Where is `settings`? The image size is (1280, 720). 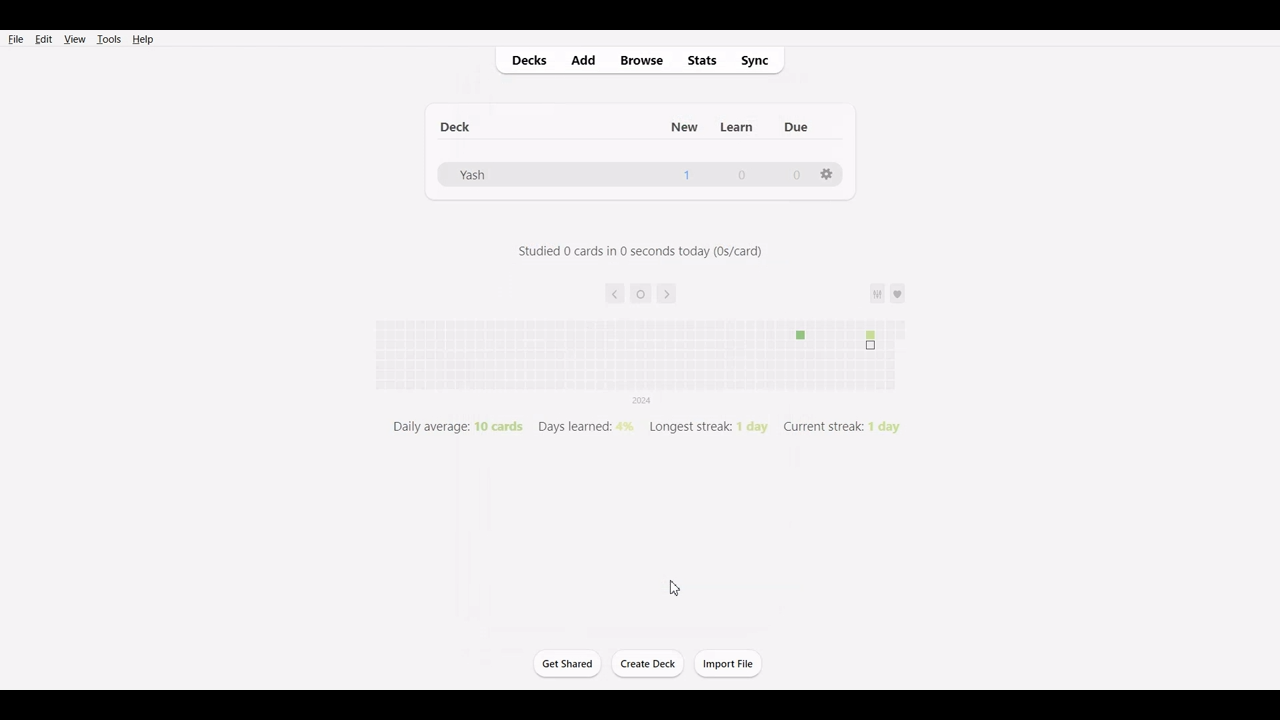 settings is located at coordinates (828, 176).